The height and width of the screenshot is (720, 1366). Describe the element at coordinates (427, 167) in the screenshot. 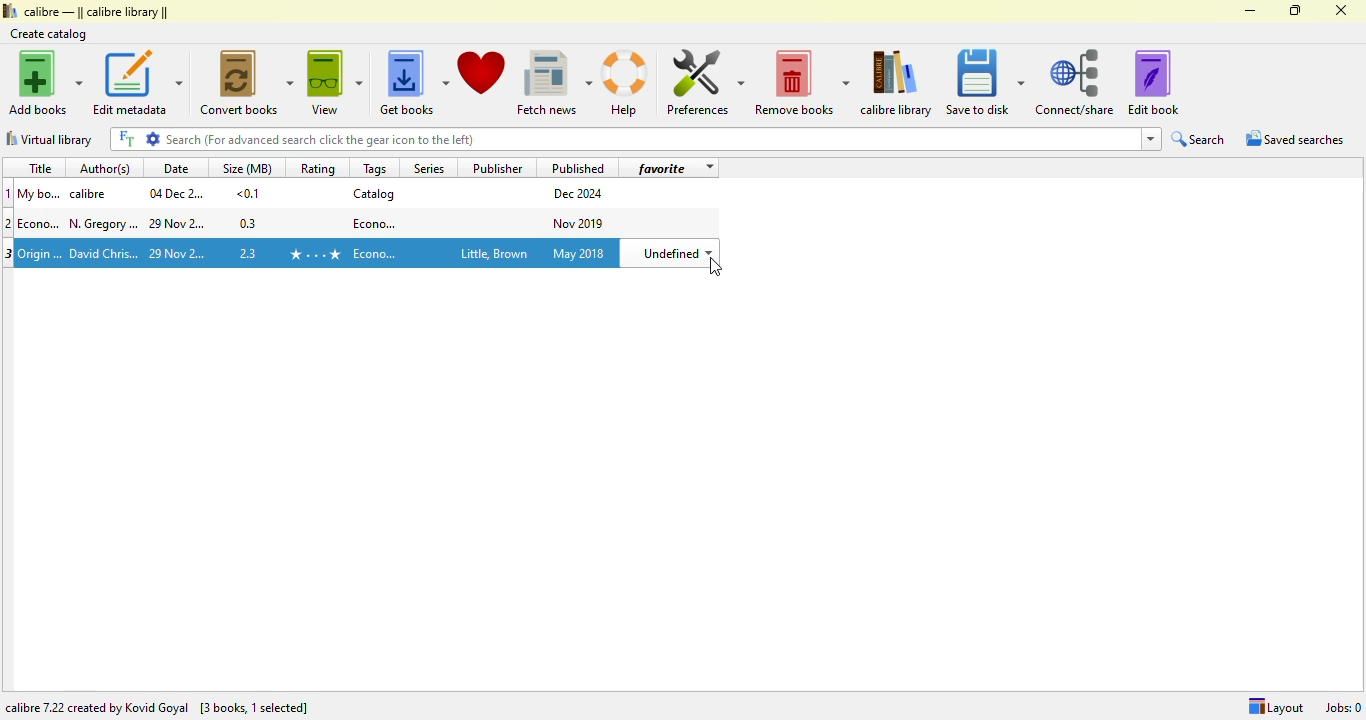

I see `series` at that location.